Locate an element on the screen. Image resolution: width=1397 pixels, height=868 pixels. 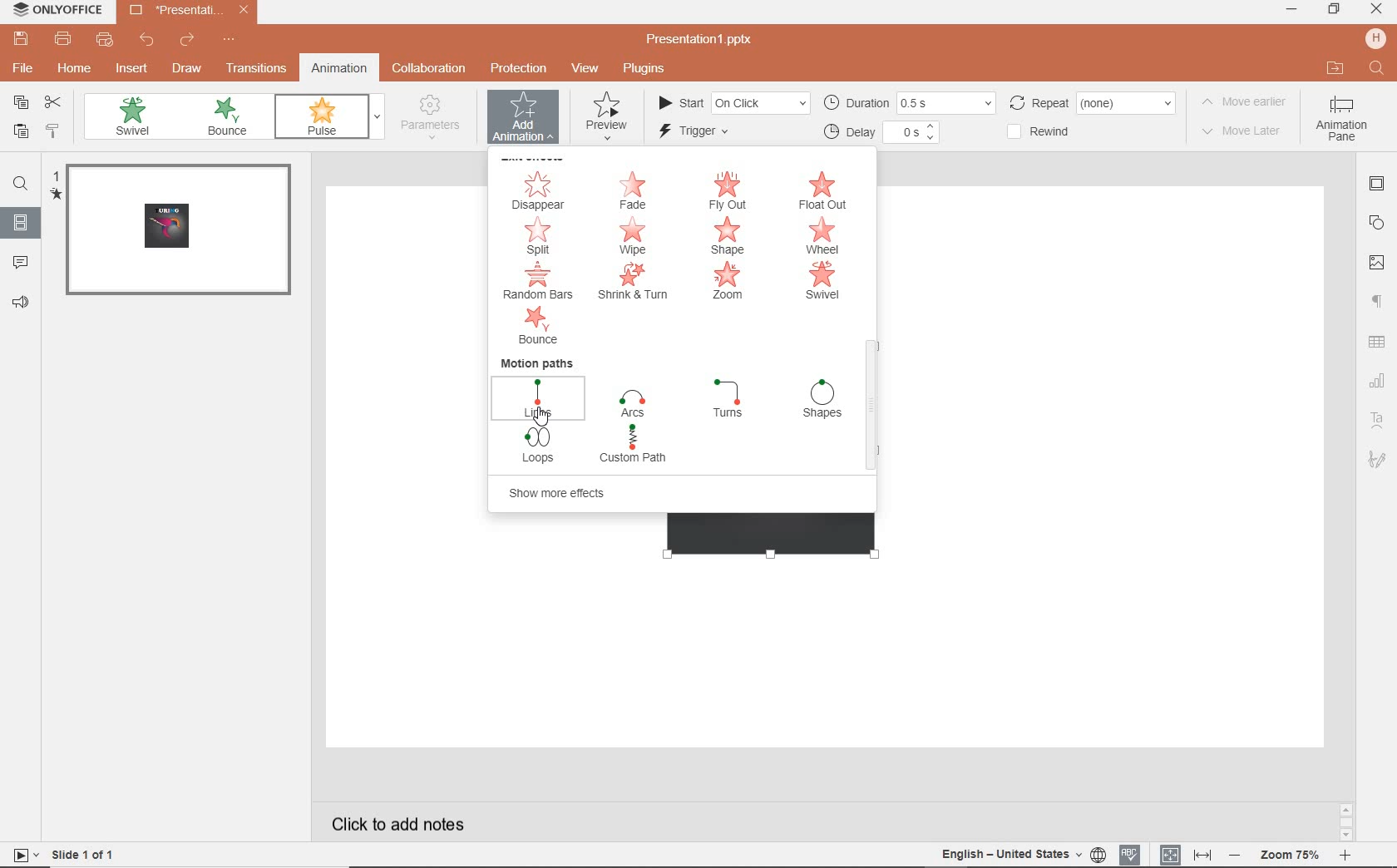
fit to slide is located at coordinates (1171, 854).